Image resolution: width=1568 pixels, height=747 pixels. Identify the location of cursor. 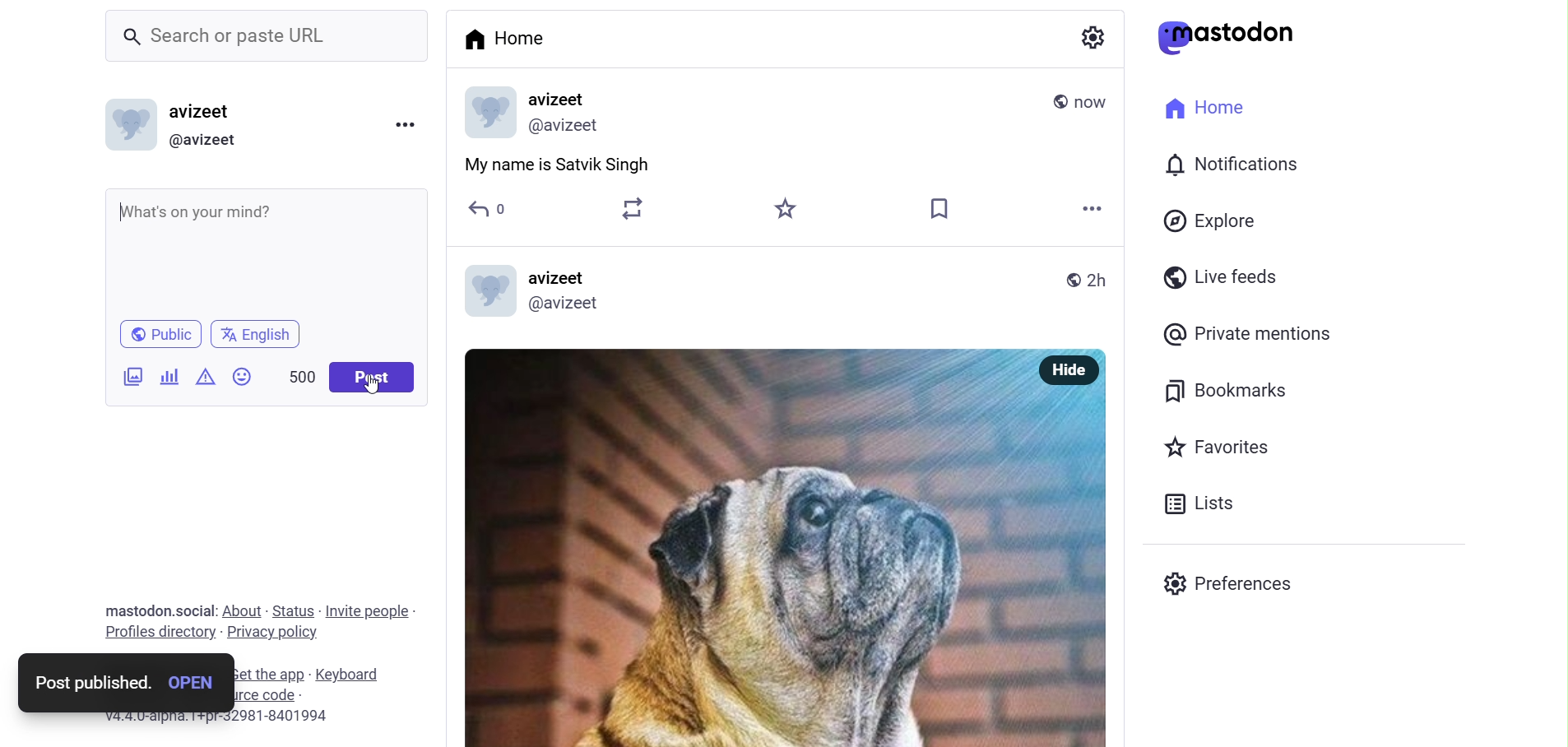
(373, 392).